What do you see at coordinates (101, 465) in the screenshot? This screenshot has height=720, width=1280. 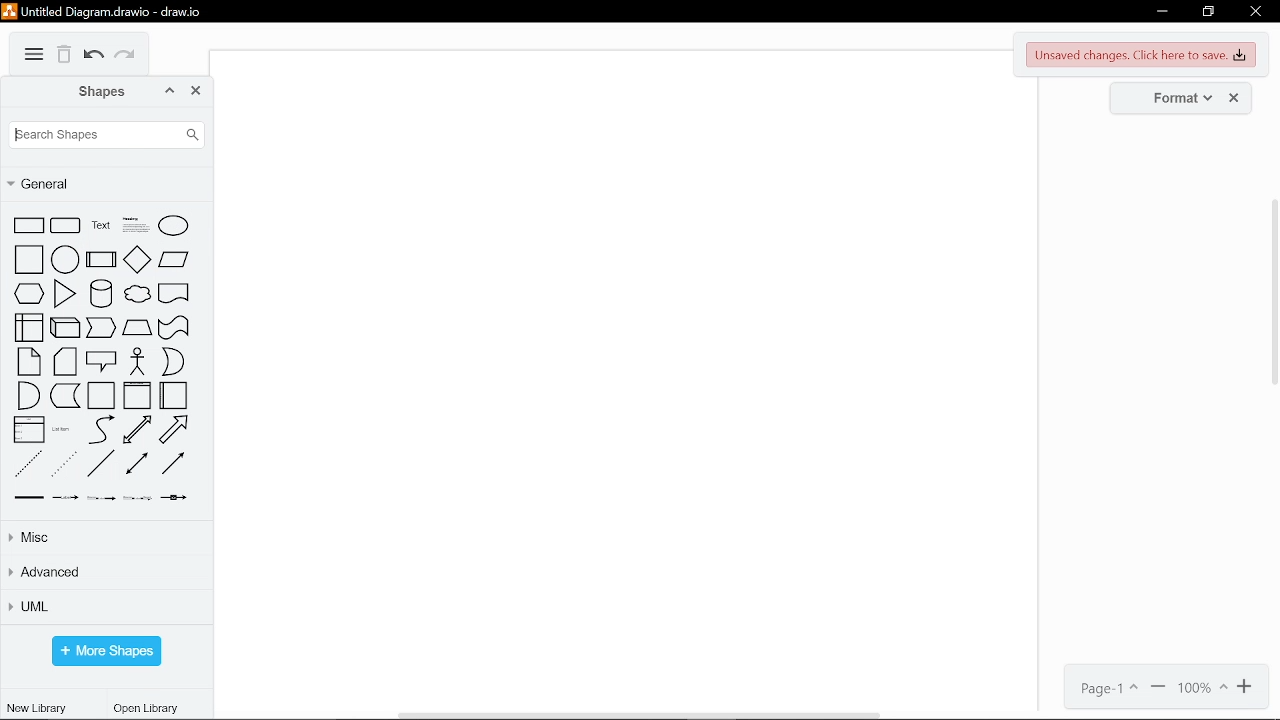 I see `line` at bounding box center [101, 465].